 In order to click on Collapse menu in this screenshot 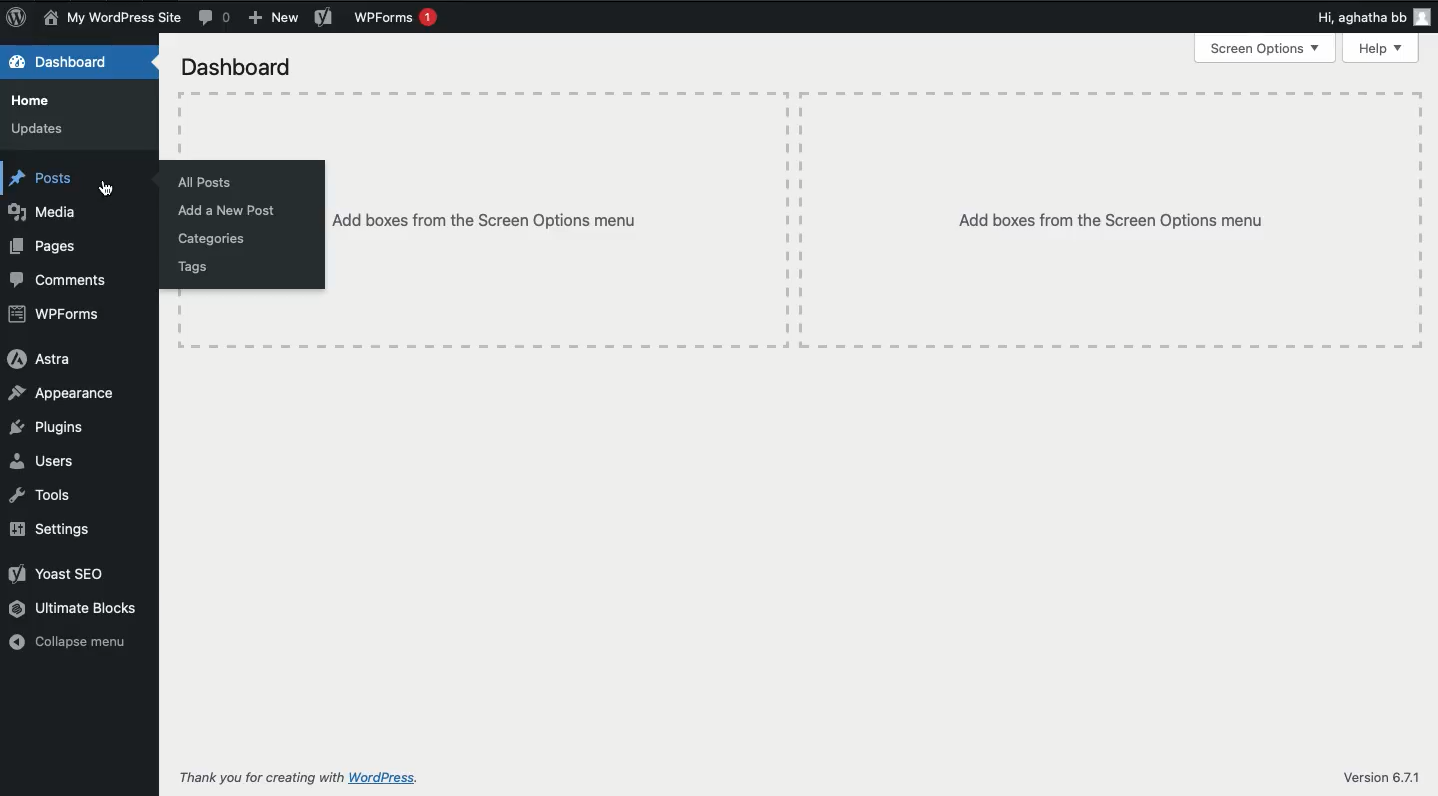, I will do `click(69, 643)`.